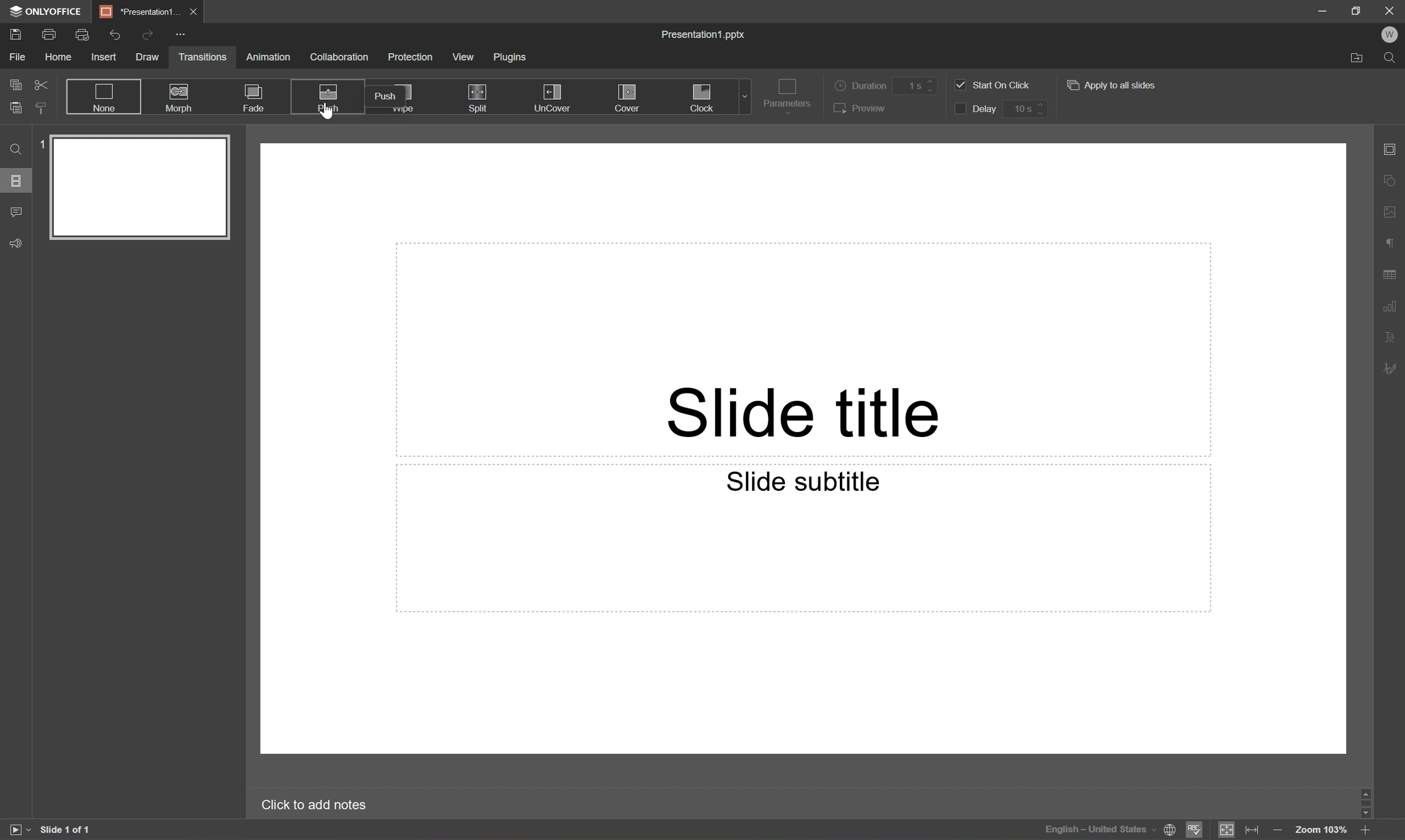 The height and width of the screenshot is (840, 1405). What do you see at coordinates (251, 97) in the screenshot?
I see `Fade` at bounding box center [251, 97].